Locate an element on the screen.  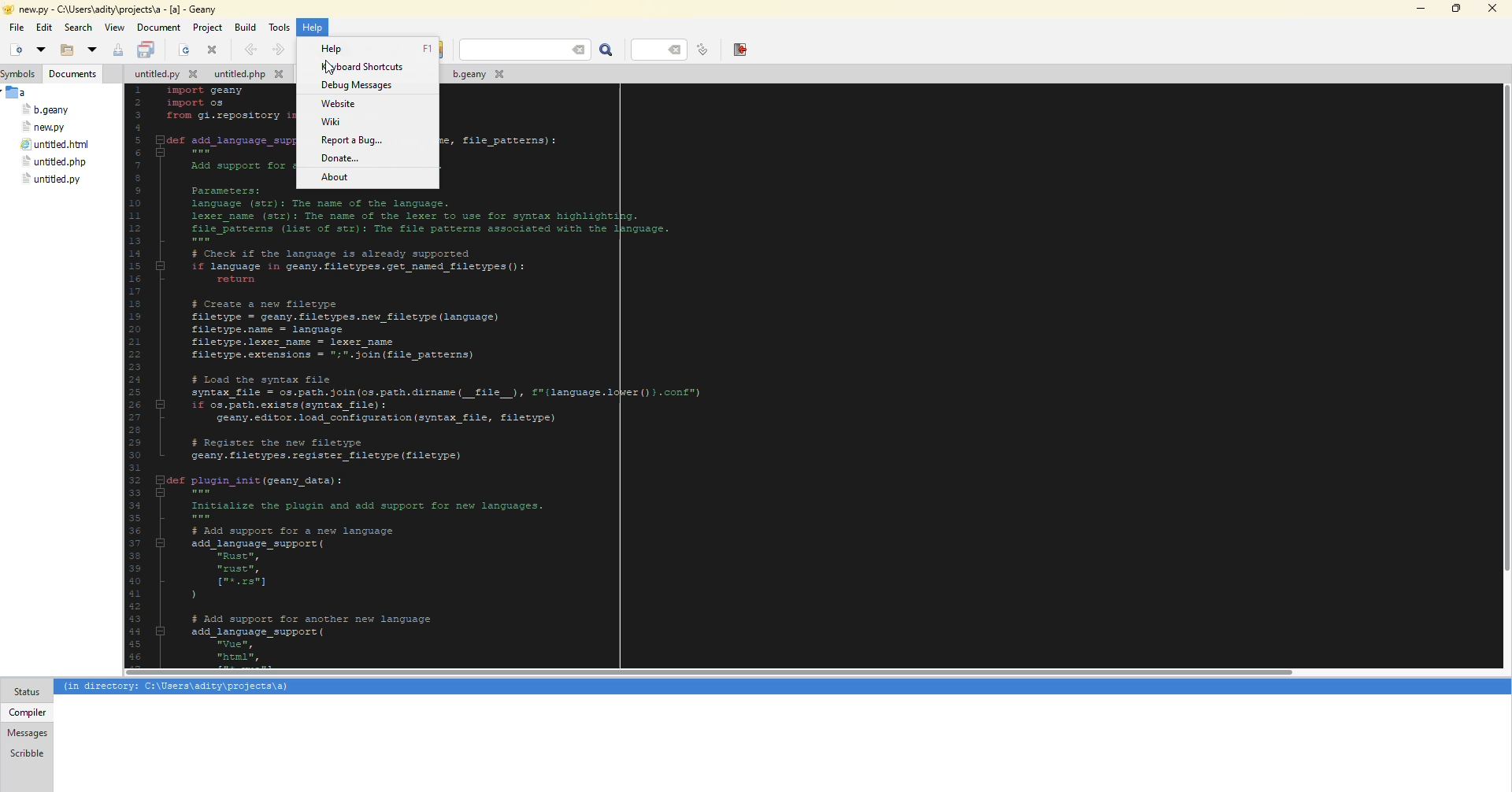
file is located at coordinates (164, 76).